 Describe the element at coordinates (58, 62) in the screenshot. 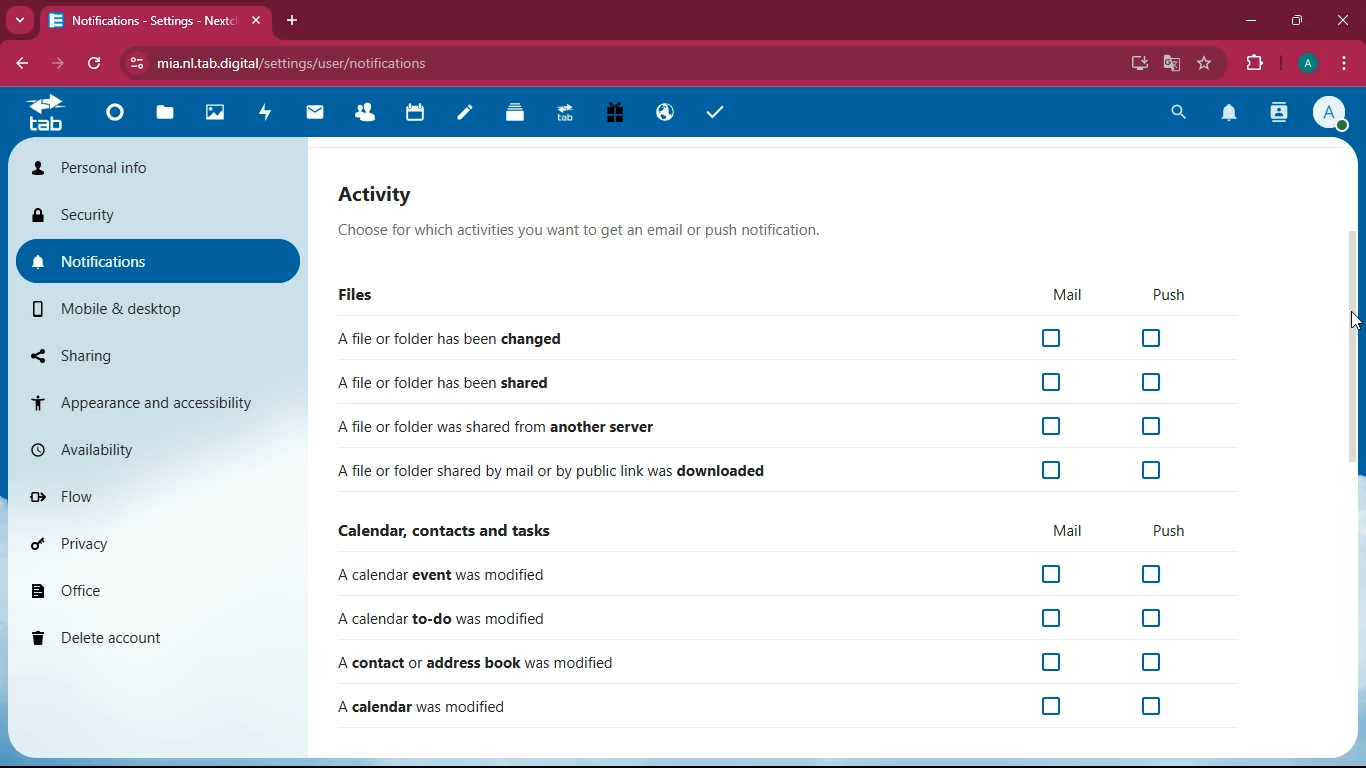

I see `forward` at that location.